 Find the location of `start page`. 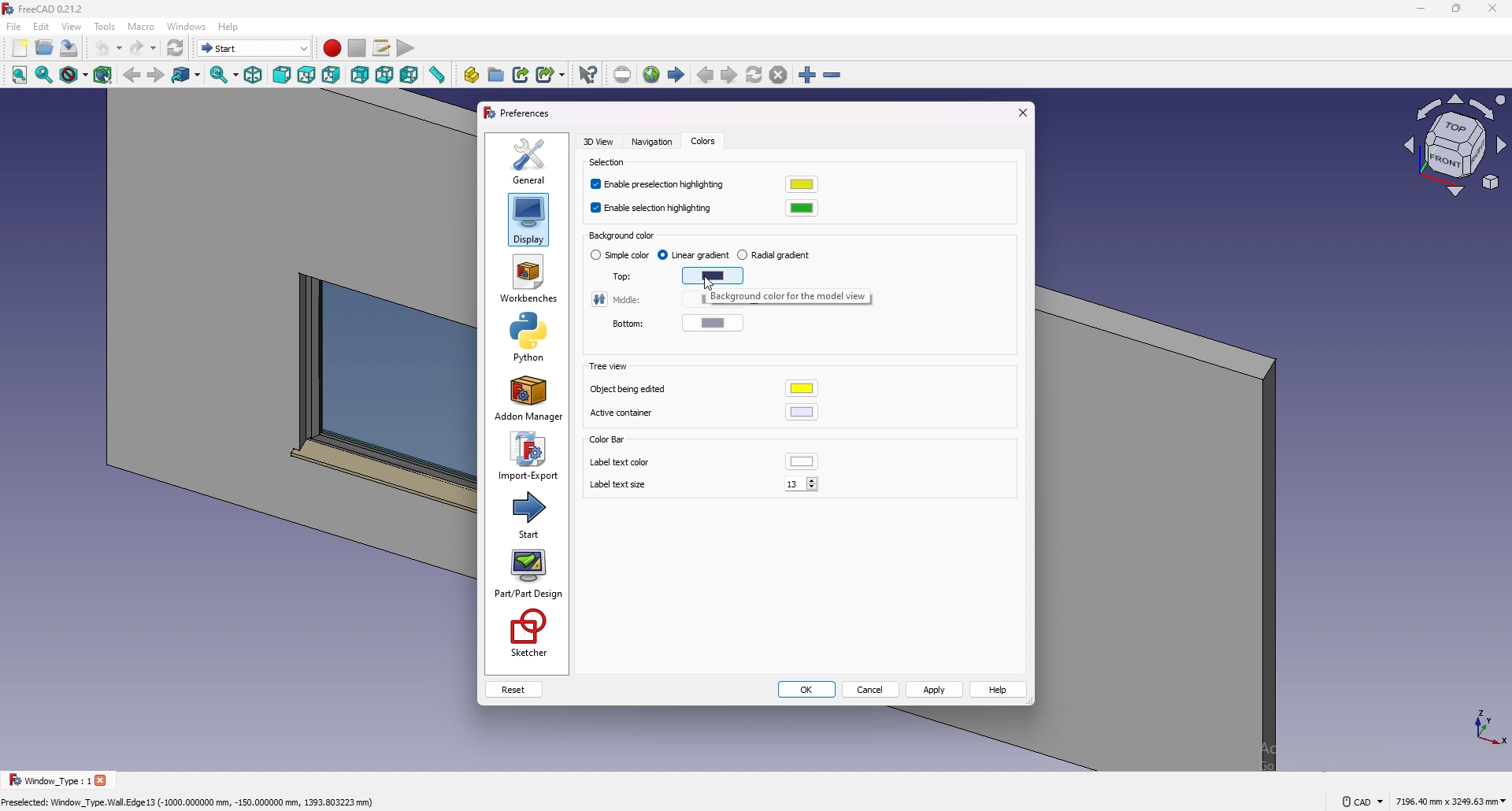

start page is located at coordinates (677, 75).